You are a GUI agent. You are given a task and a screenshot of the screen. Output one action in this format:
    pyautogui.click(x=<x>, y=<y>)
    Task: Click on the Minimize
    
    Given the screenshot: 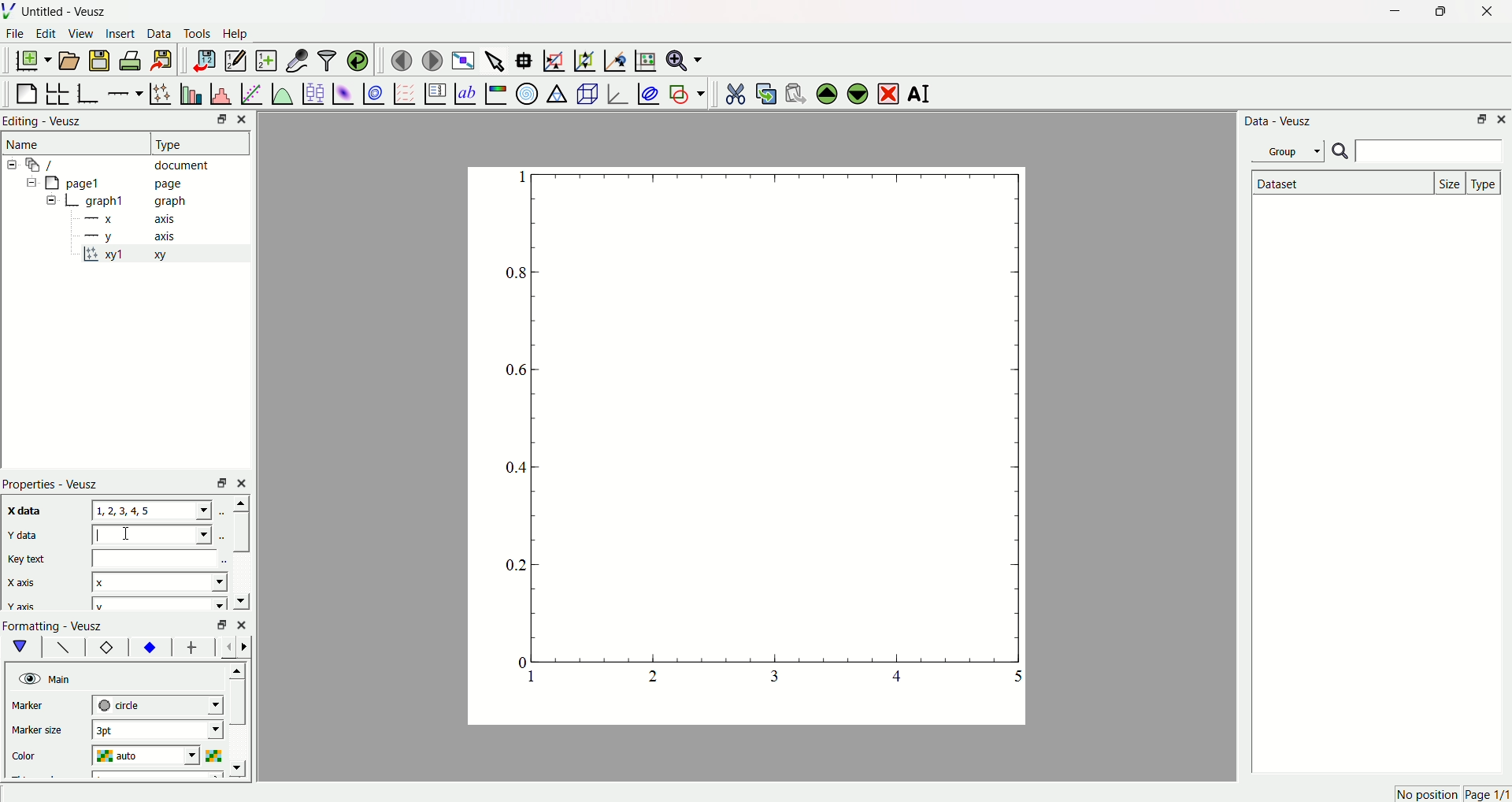 What is the action you would take?
    pyautogui.click(x=1480, y=121)
    